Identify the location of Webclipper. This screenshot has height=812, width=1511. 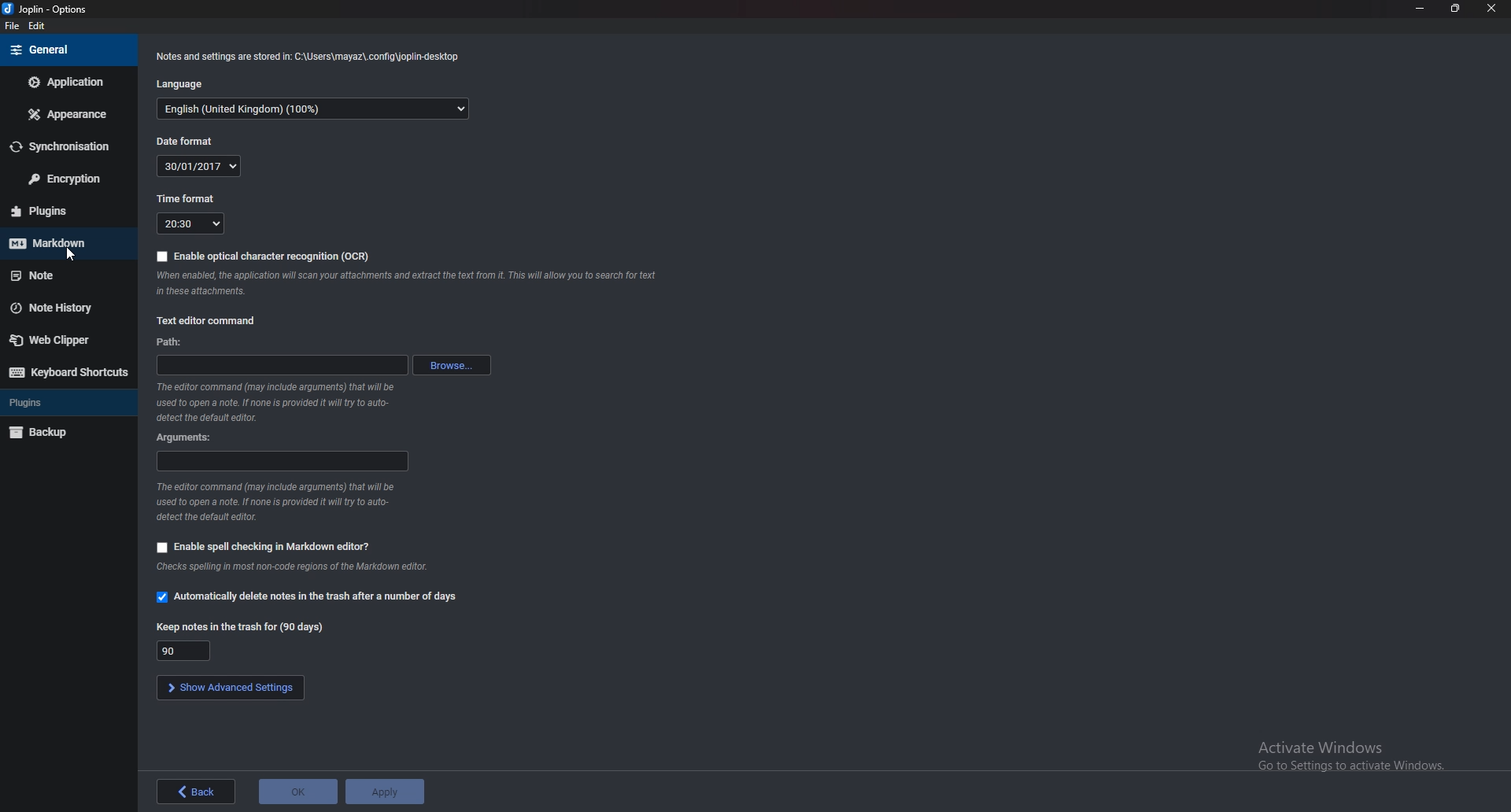
(65, 340).